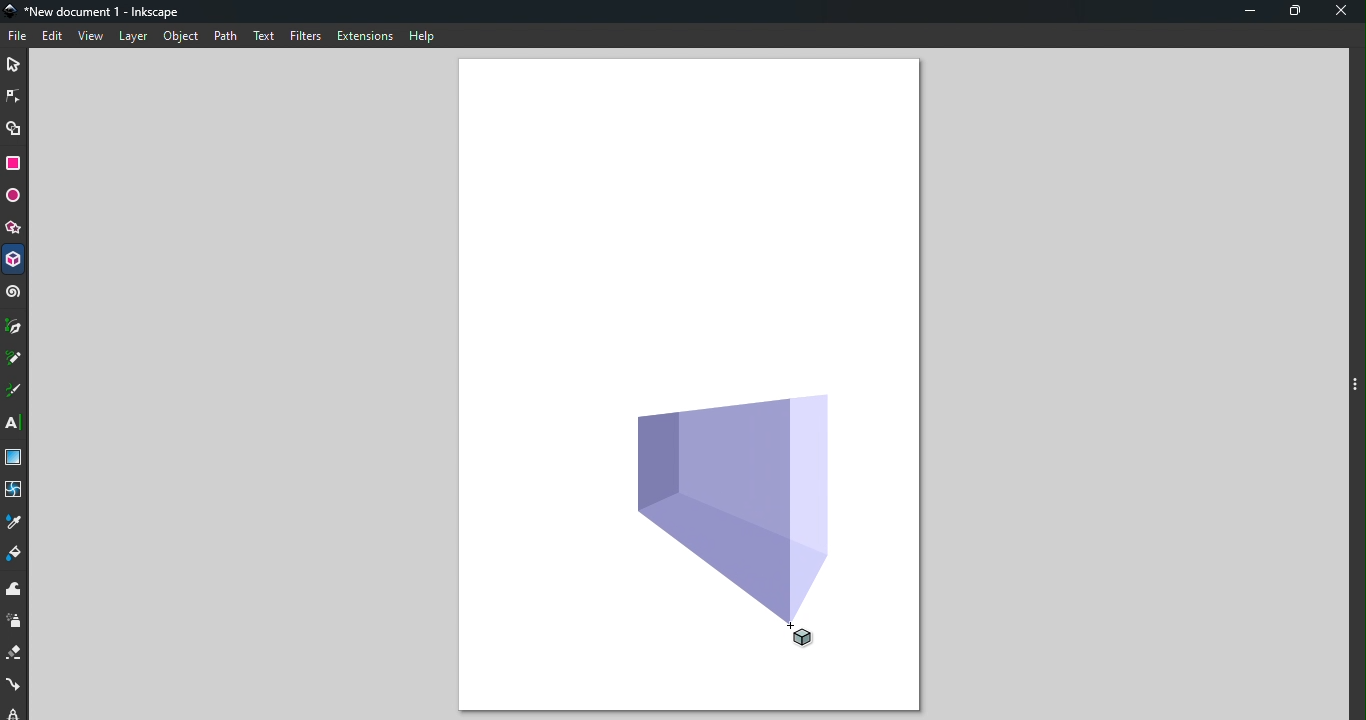 This screenshot has width=1366, height=720. What do you see at coordinates (16, 64) in the screenshot?
I see `Selector tool` at bounding box center [16, 64].